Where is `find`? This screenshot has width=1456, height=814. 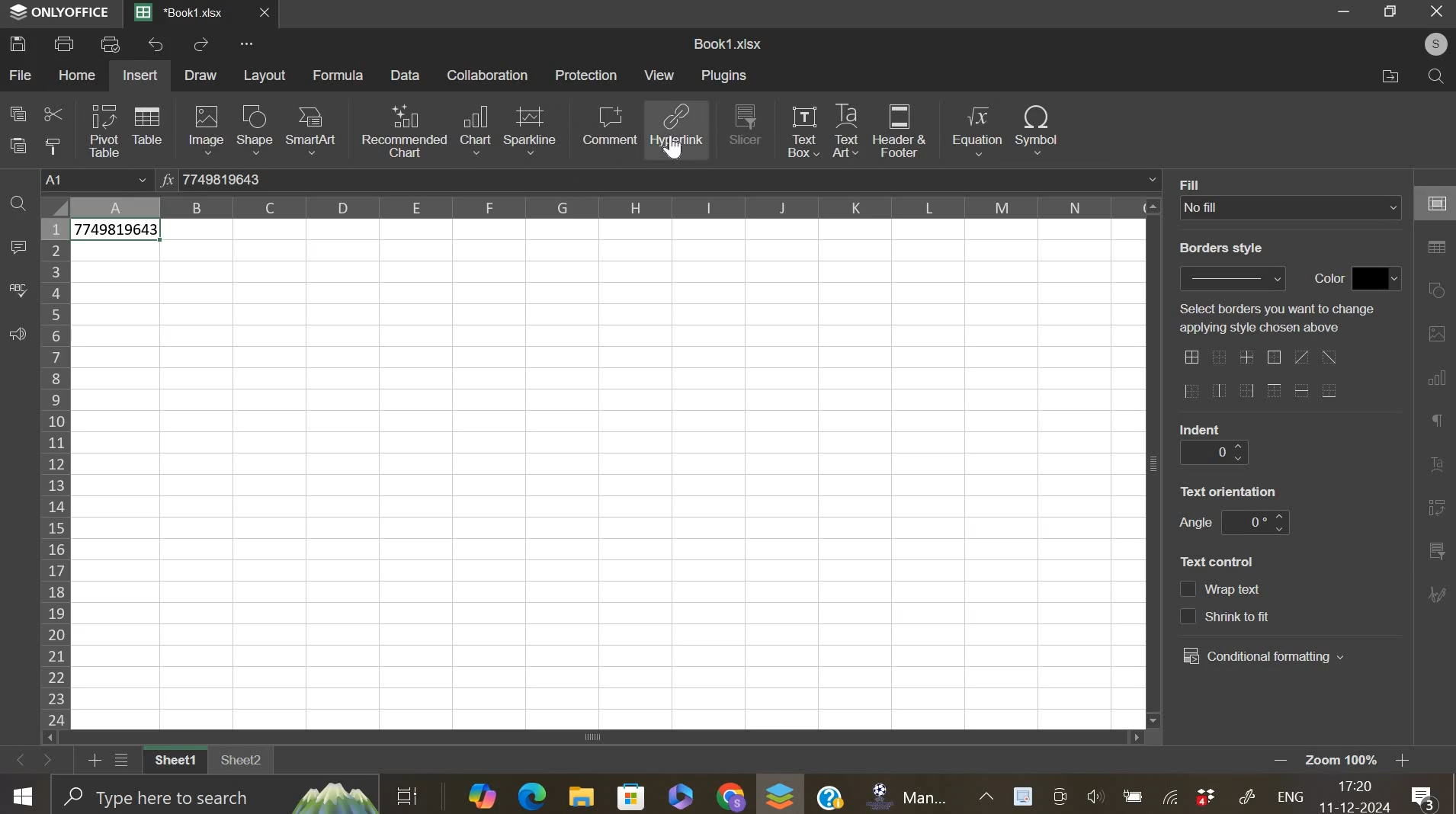
find is located at coordinates (18, 206).